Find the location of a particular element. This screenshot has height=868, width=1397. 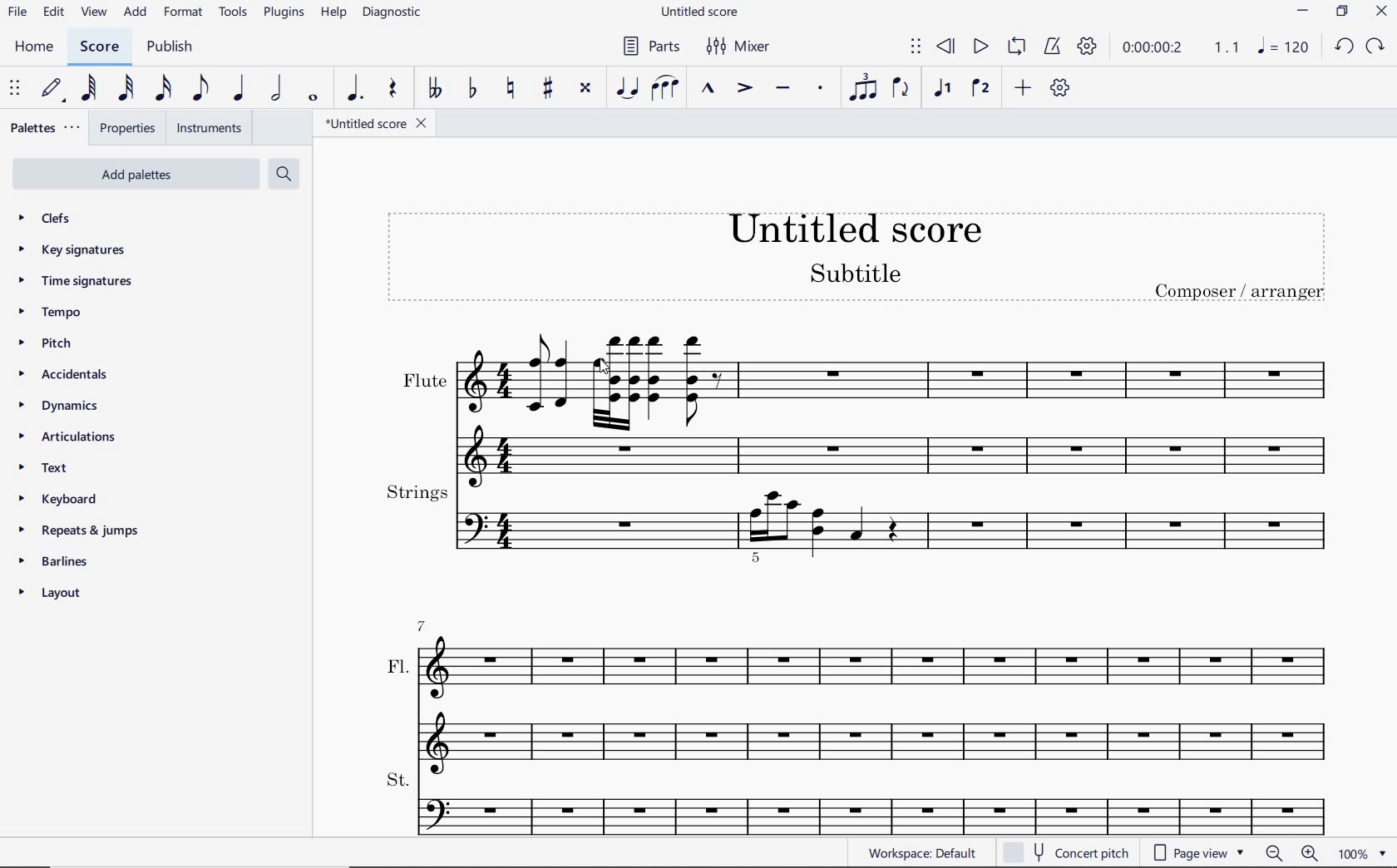

instruments is located at coordinates (205, 129).